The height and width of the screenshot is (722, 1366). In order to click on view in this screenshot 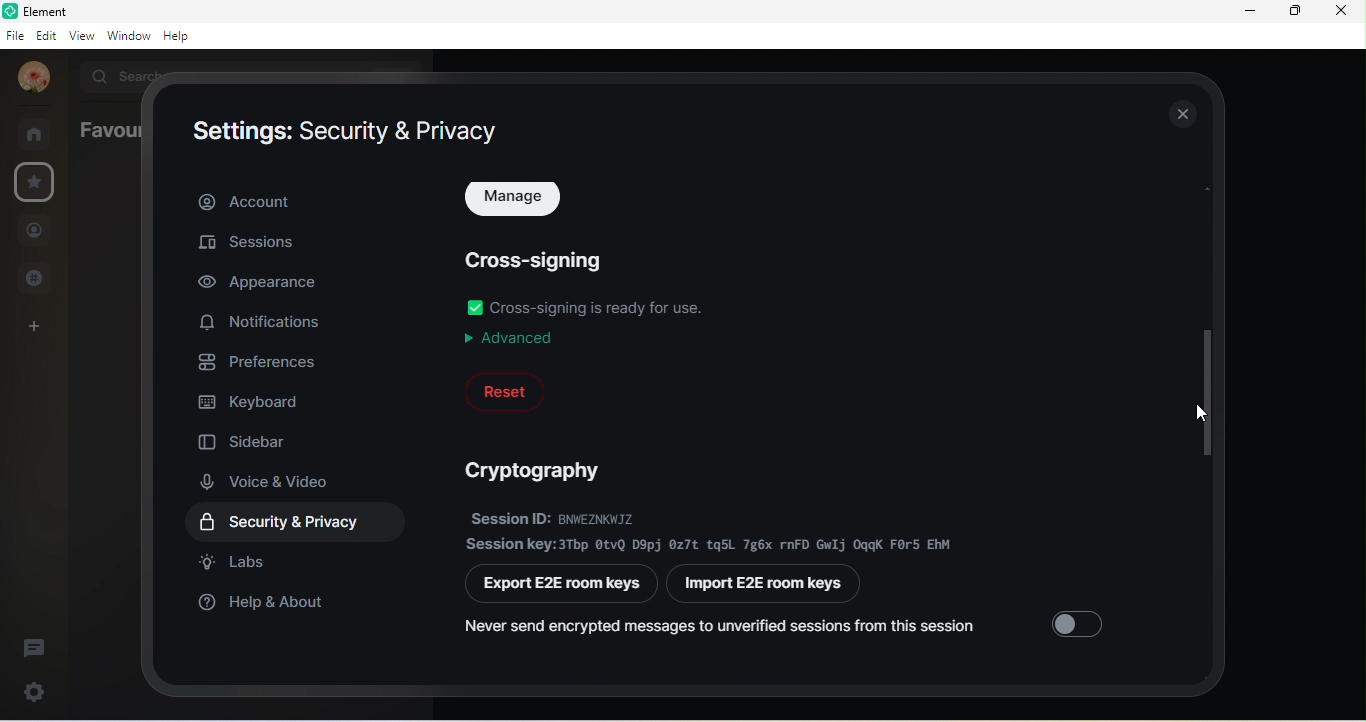, I will do `click(85, 37)`.